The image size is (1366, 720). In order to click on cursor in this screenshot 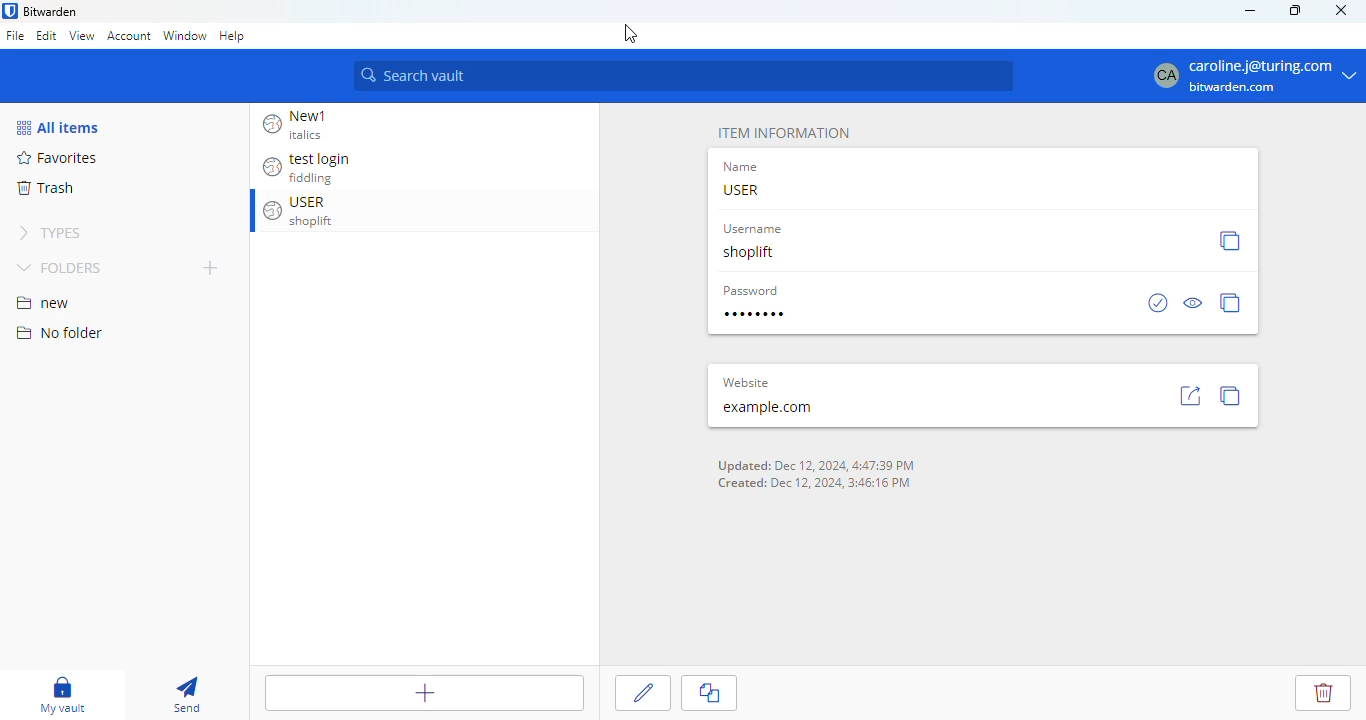, I will do `click(624, 33)`.